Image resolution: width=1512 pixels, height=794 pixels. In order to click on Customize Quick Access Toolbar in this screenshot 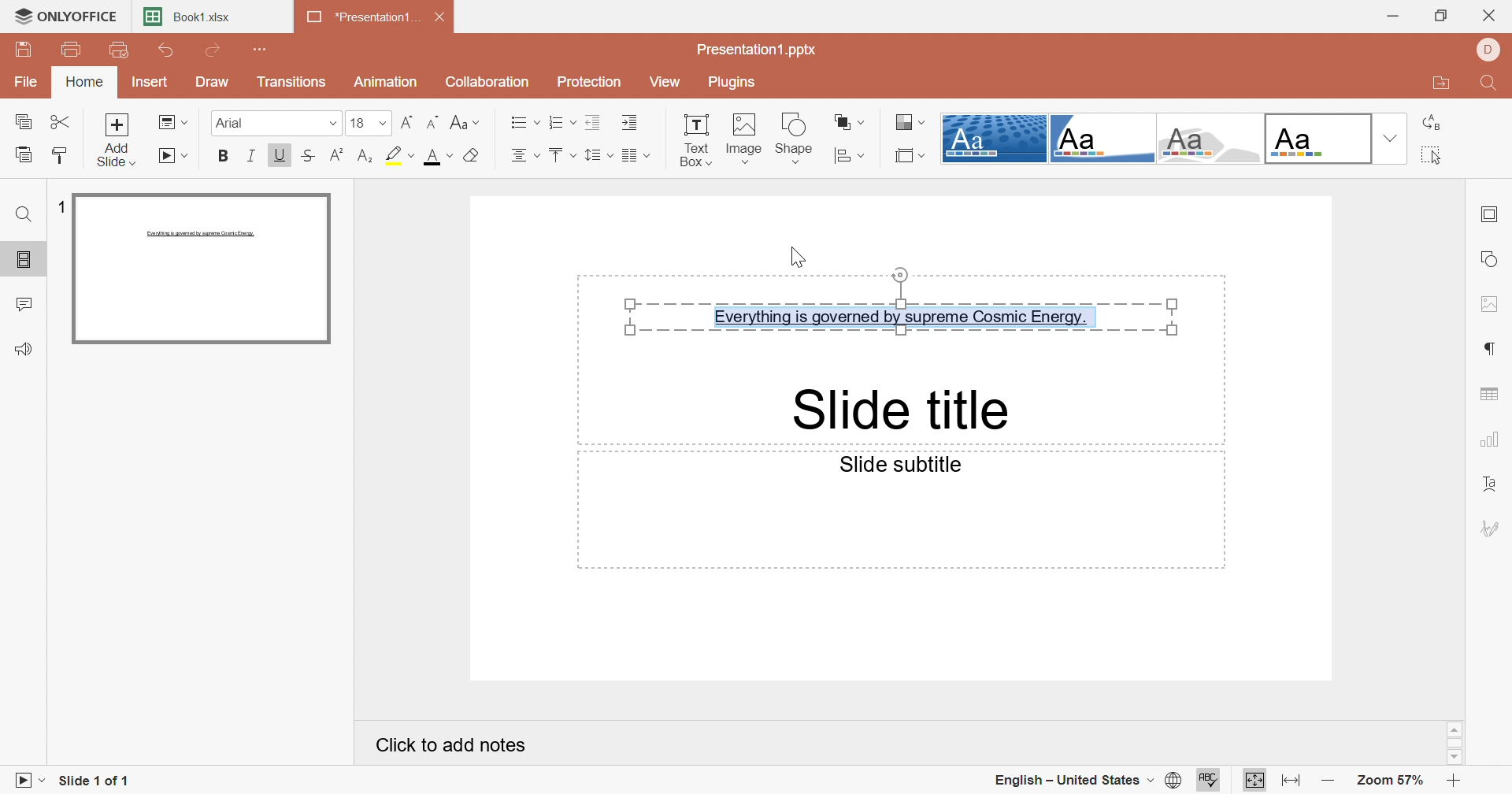, I will do `click(267, 50)`.